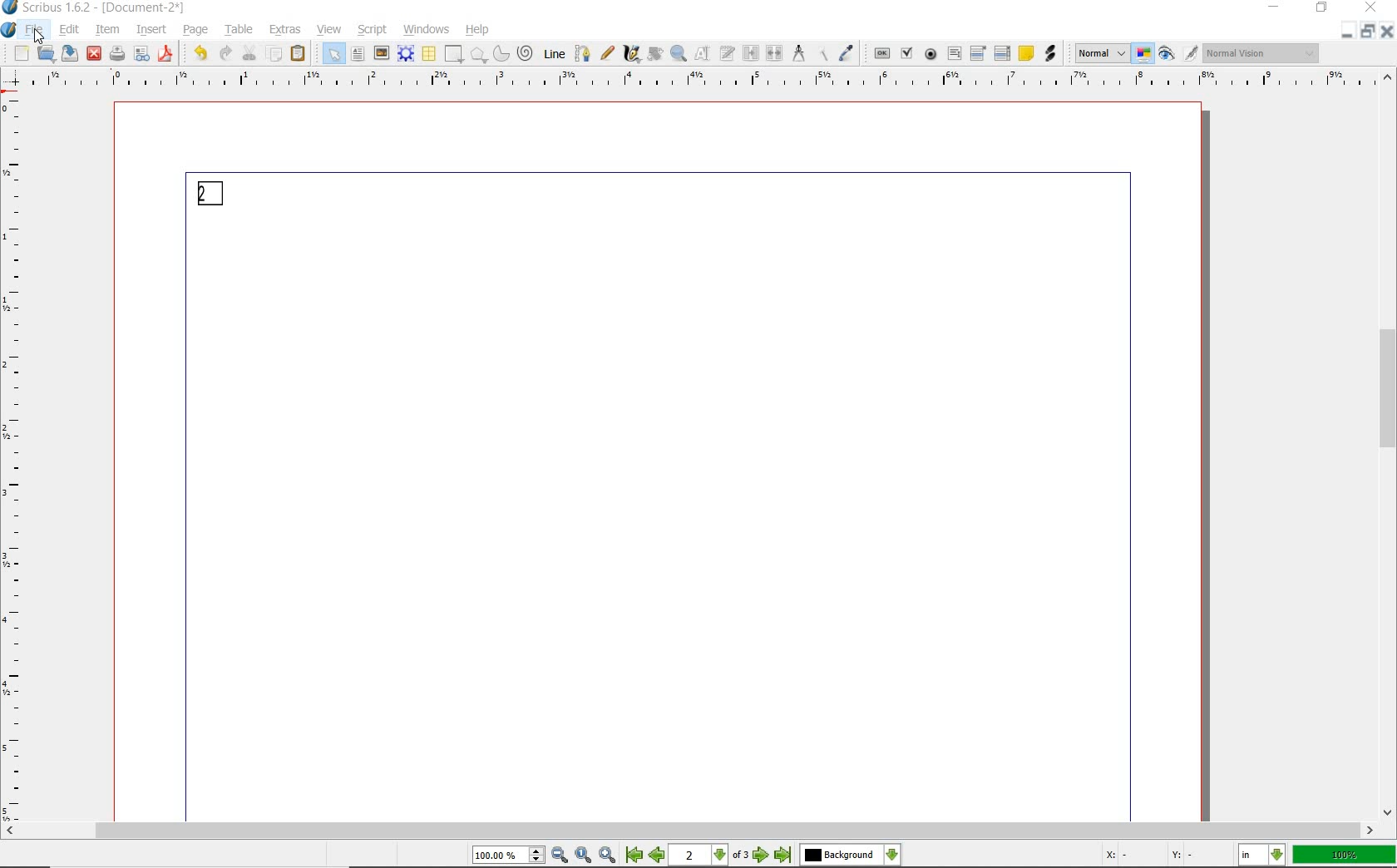 This screenshot has height=868, width=1397. What do you see at coordinates (68, 29) in the screenshot?
I see `edit` at bounding box center [68, 29].